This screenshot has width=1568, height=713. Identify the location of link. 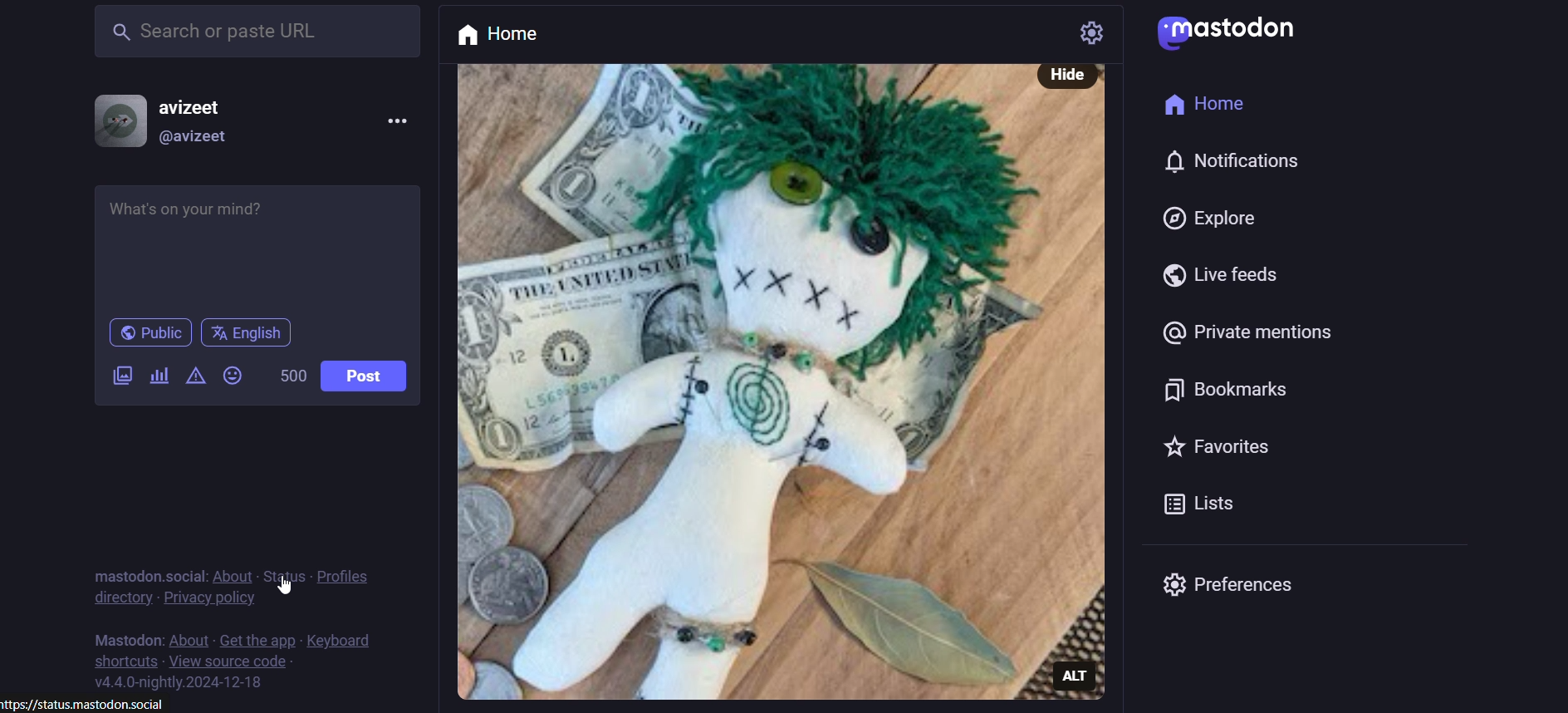
(95, 703).